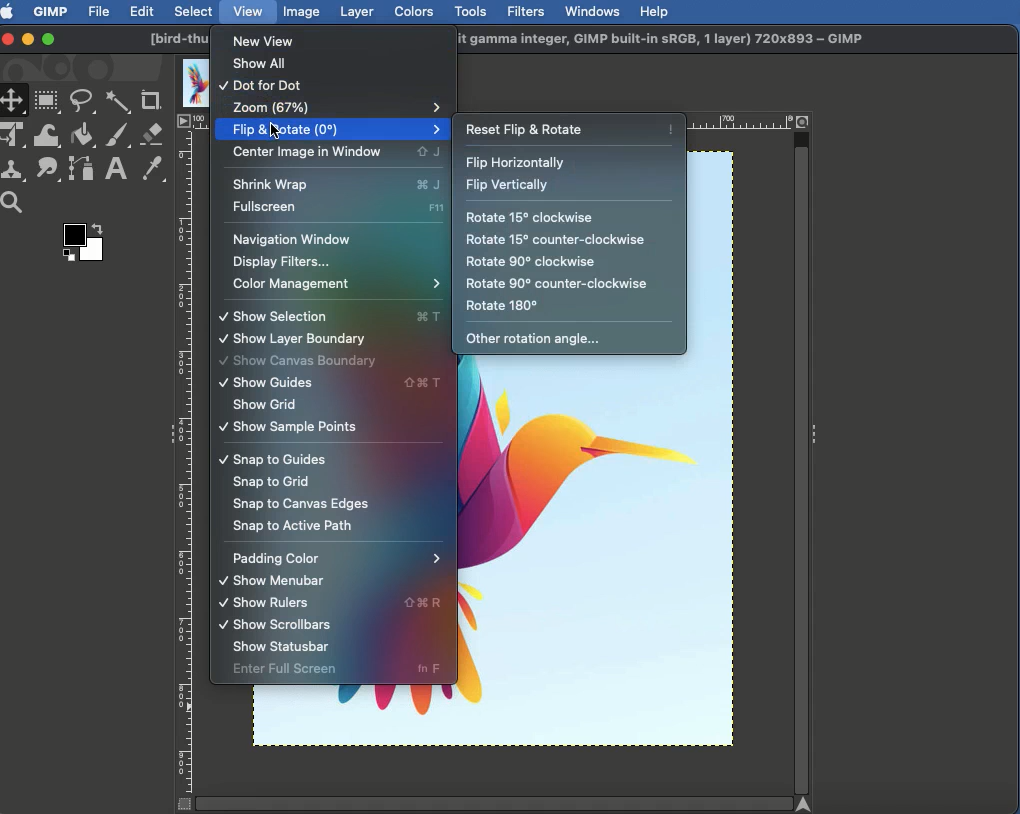 The width and height of the screenshot is (1020, 814). Describe the element at coordinates (151, 170) in the screenshot. I see `Color picker` at that location.